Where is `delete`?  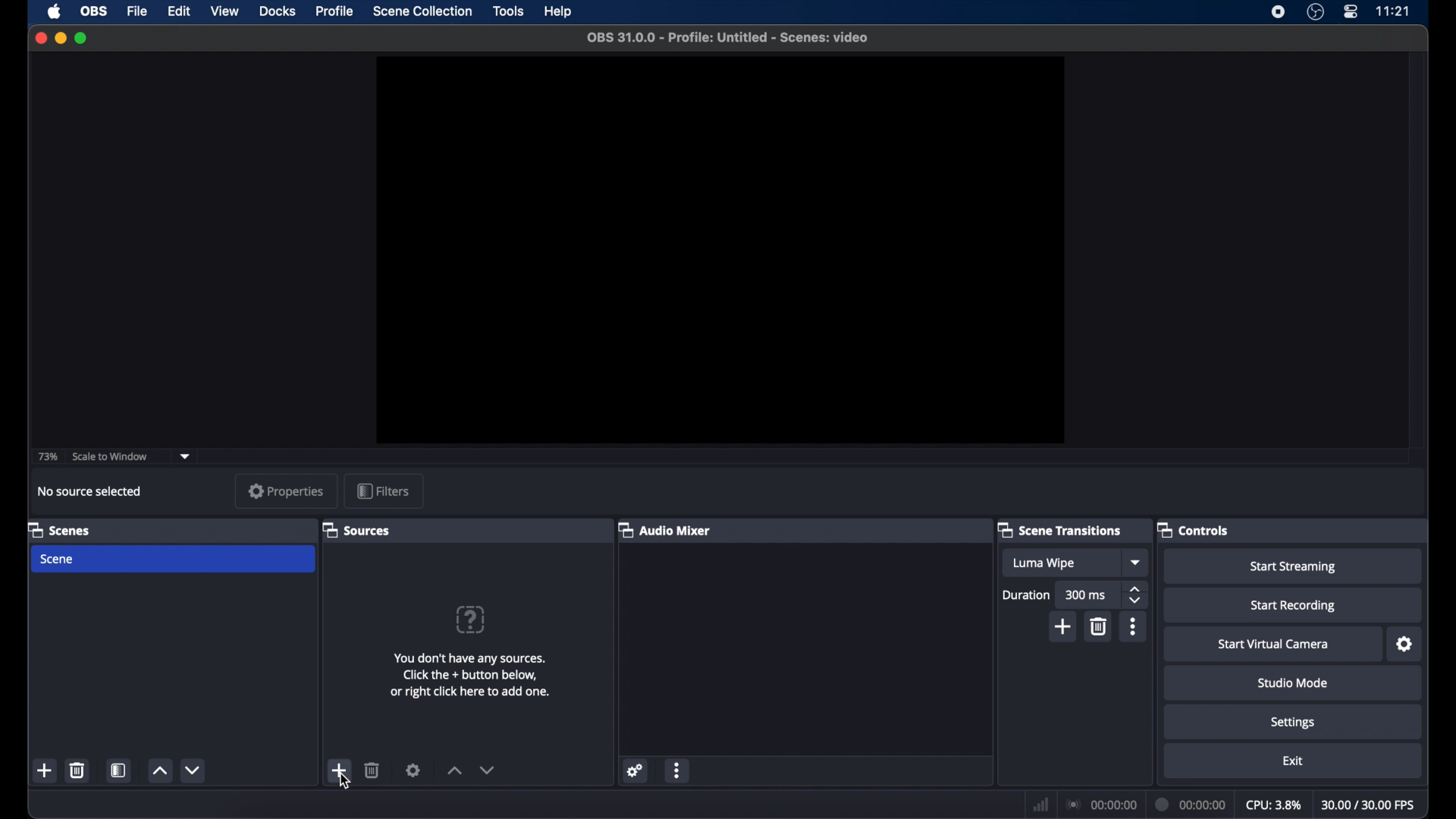
delete is located at coordinates (373, 770).